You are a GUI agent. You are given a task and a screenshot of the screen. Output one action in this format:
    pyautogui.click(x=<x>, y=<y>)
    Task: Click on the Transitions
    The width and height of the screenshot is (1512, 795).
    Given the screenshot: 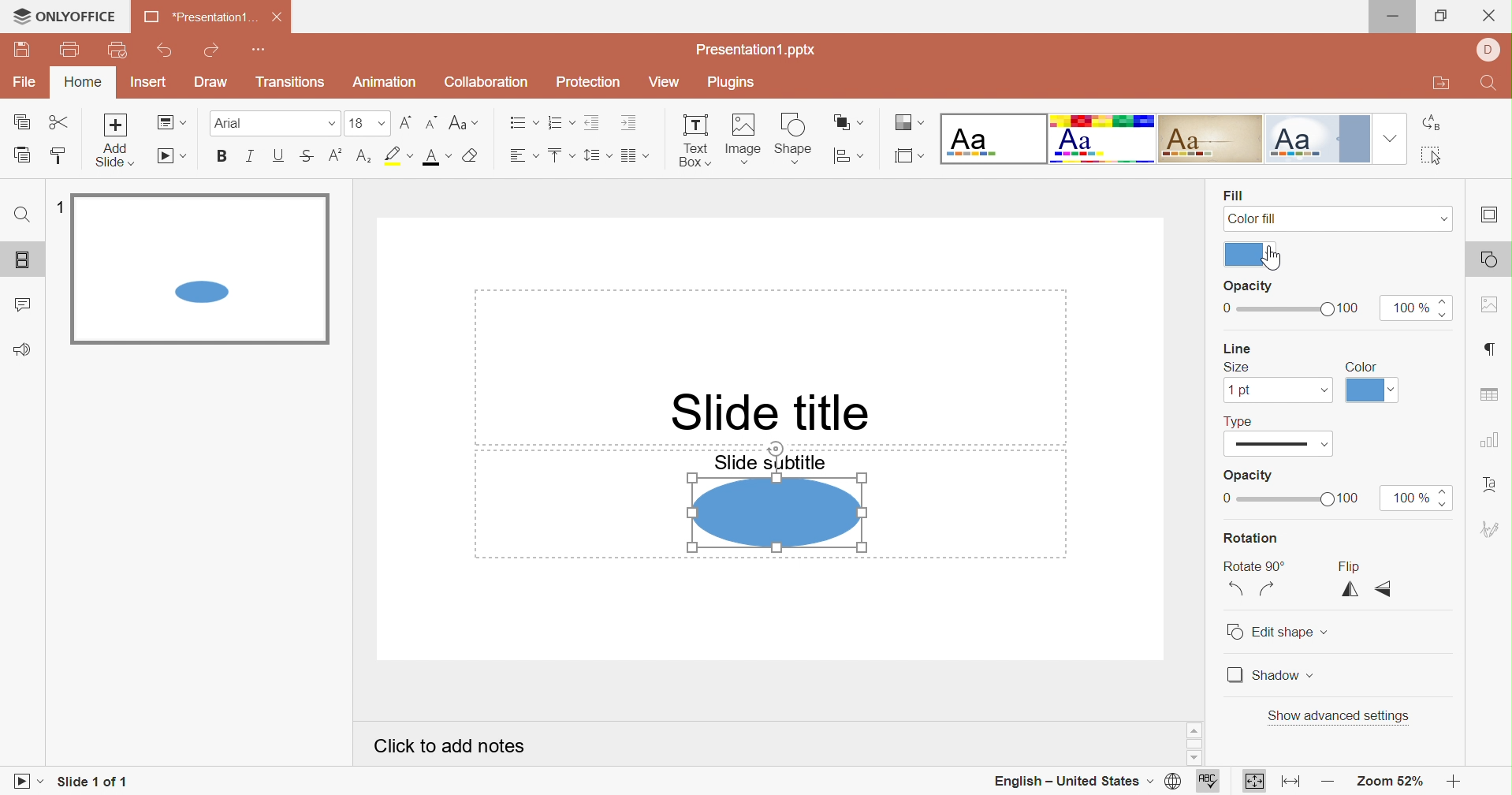 What is the action you would take?
    pyautogui.click(x=291, y=82)
    